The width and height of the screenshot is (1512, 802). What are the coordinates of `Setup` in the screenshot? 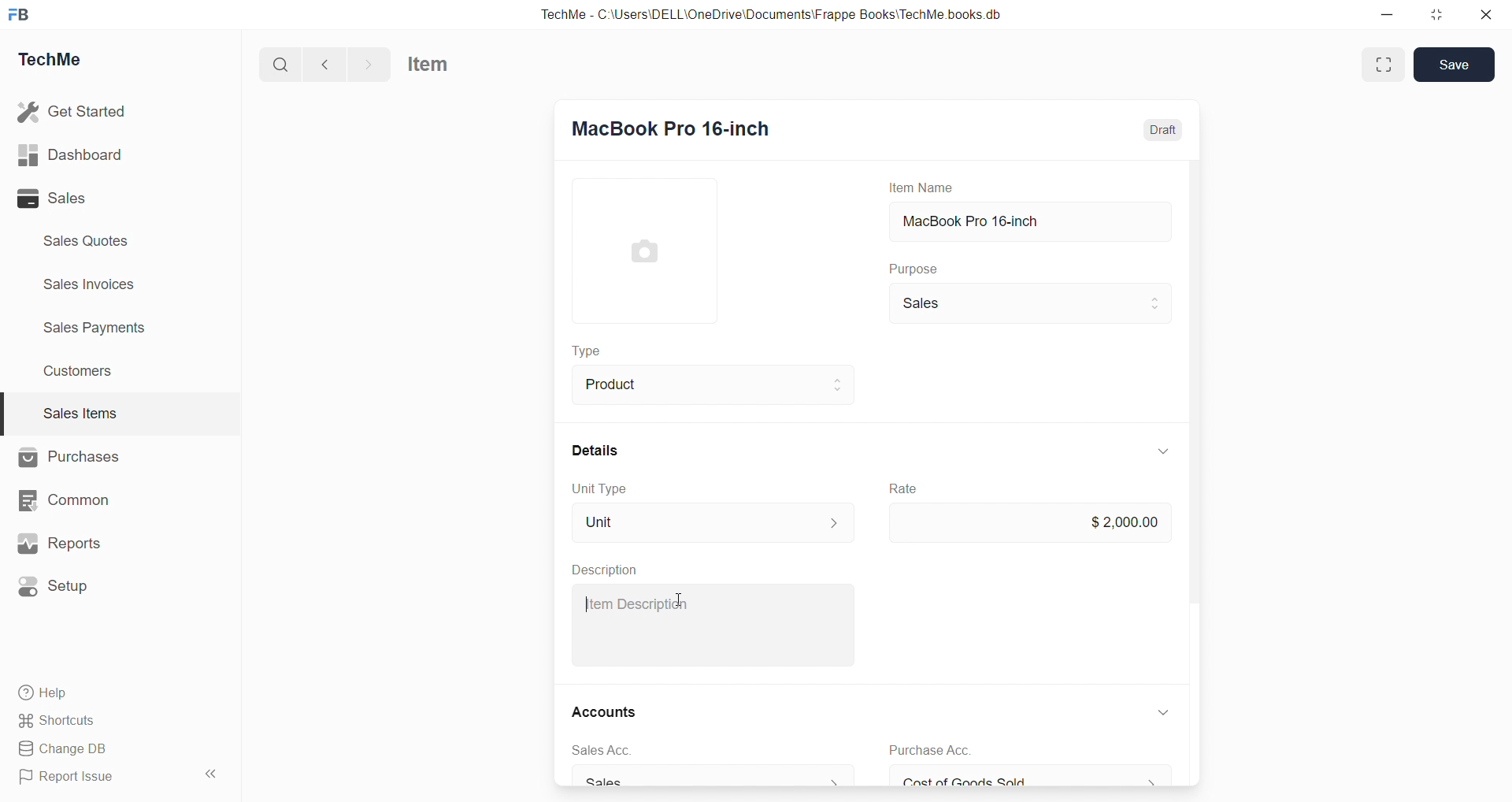 It's located at (59, 585).